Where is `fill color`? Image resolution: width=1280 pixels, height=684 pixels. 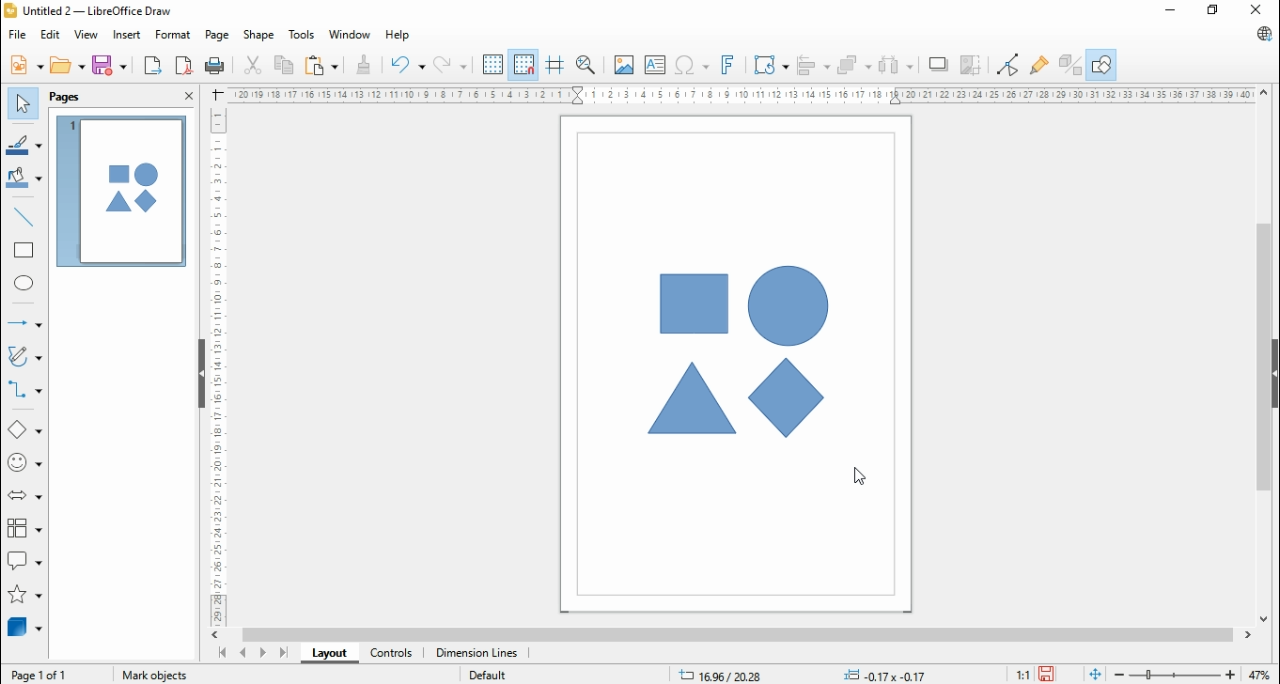
fill color is located at coordinates (24, 178).